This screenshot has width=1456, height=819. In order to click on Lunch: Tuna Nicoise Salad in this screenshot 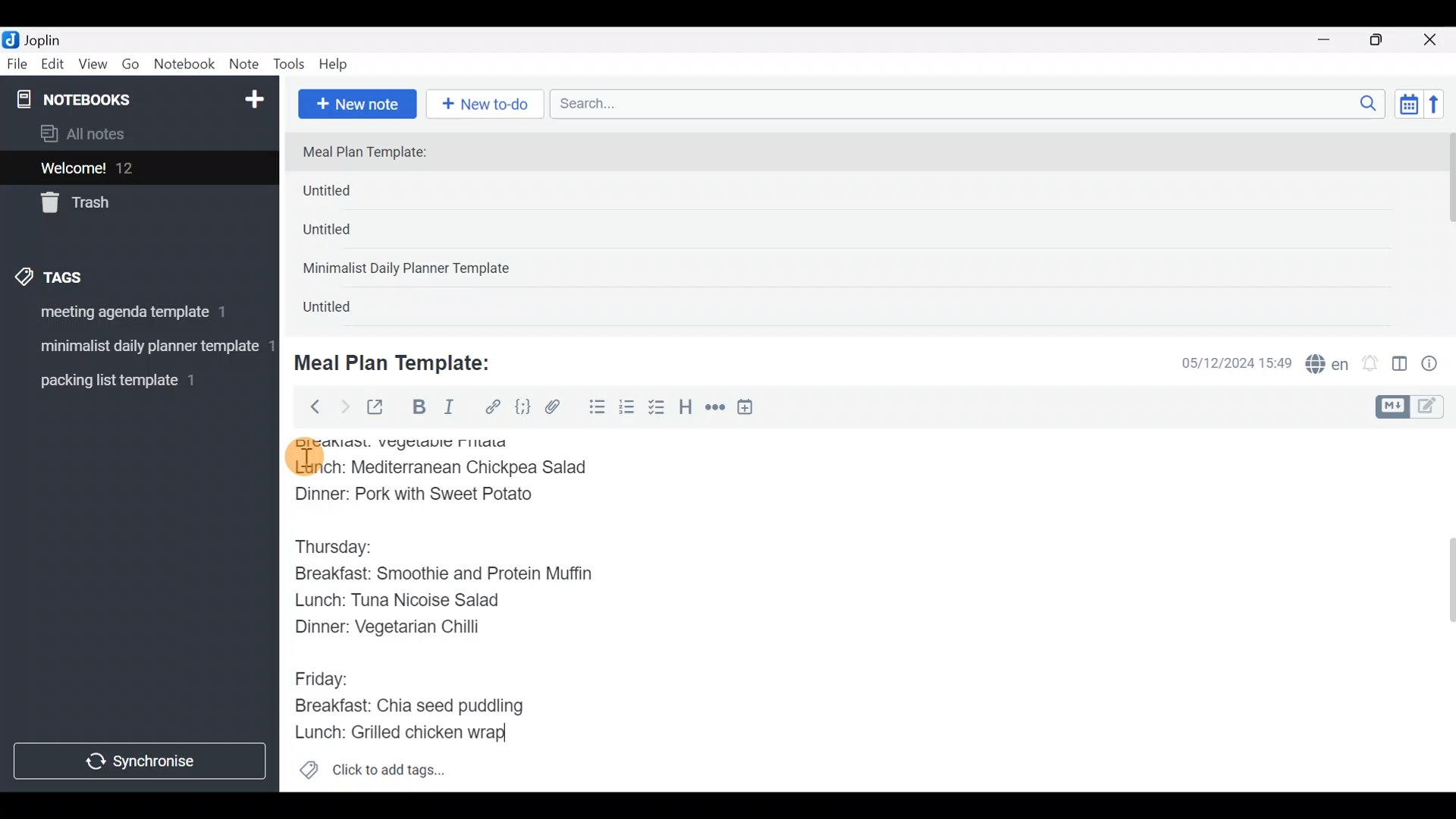, I will do `click(414, 604)`.